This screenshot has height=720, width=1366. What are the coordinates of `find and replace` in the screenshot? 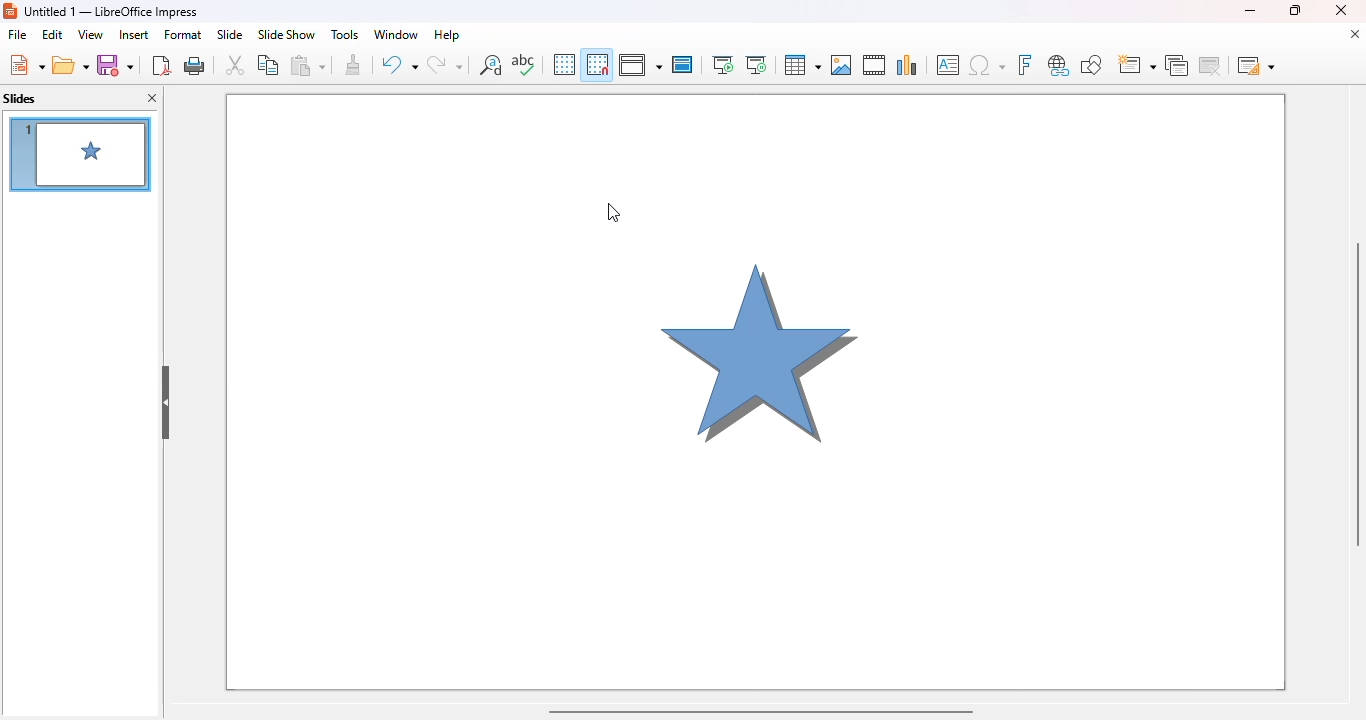 It's located at (491, 65).